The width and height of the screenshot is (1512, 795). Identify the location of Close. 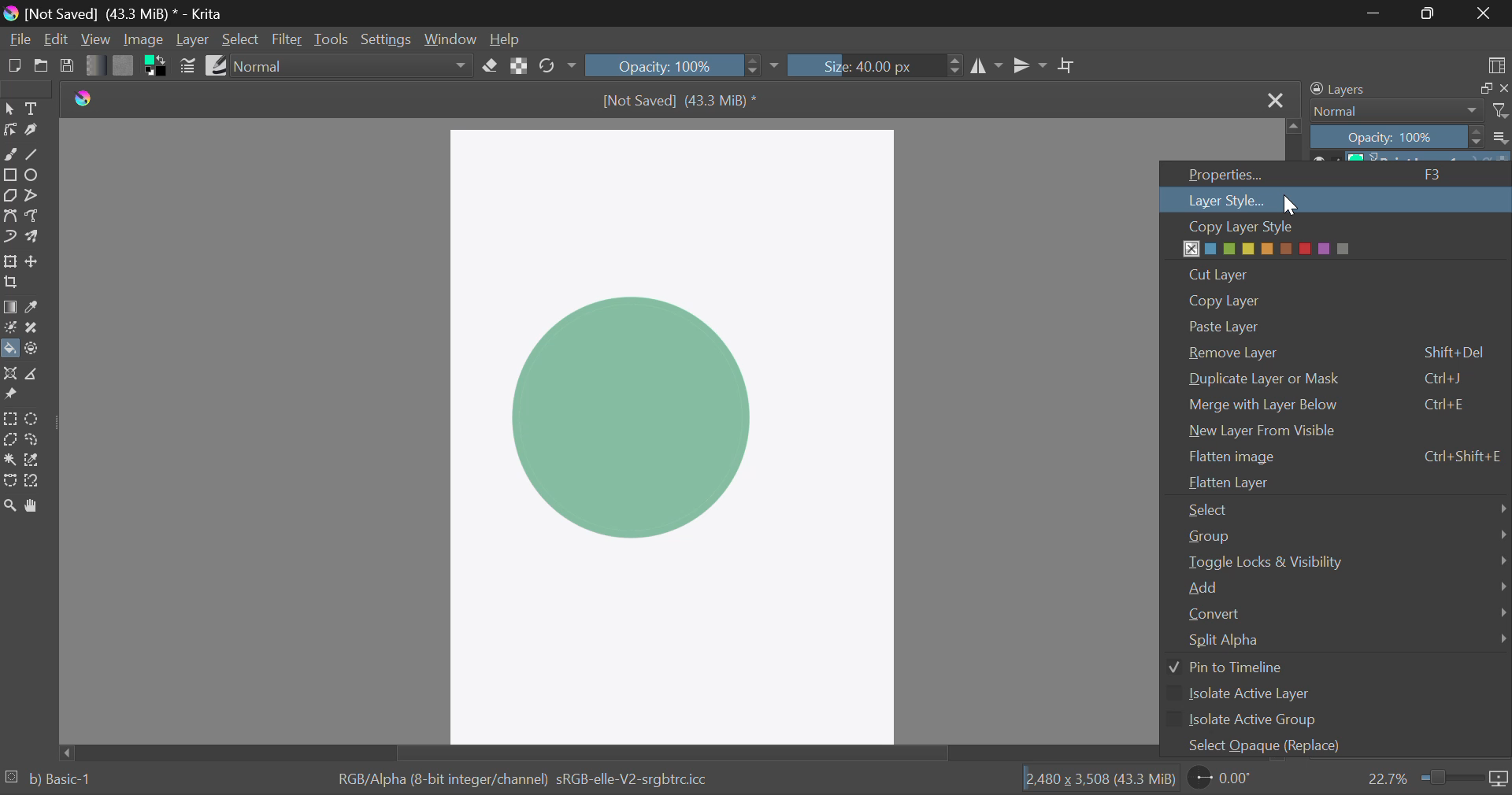
(1484, 13).